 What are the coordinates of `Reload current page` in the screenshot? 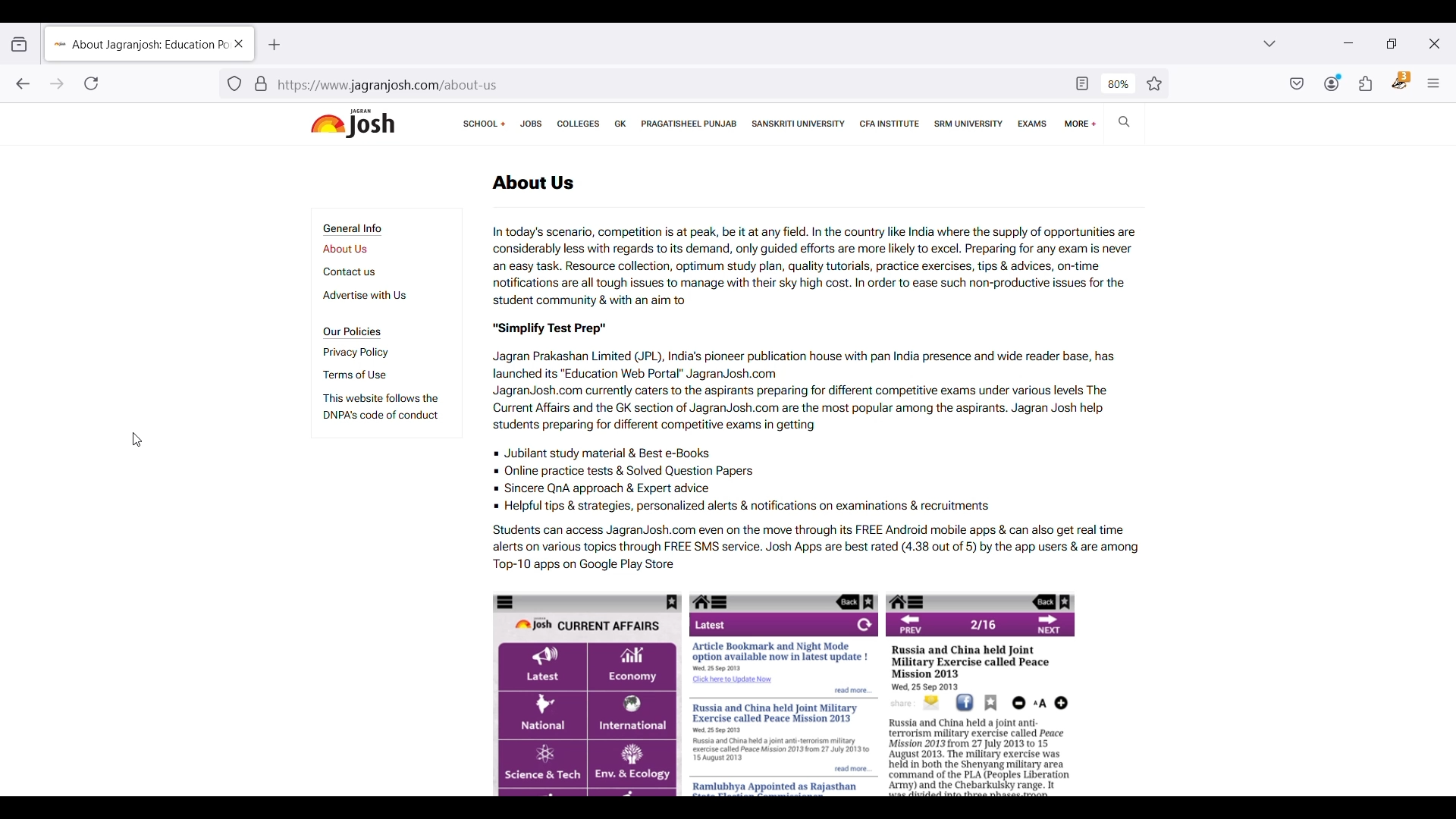 It's located at (91, 83).